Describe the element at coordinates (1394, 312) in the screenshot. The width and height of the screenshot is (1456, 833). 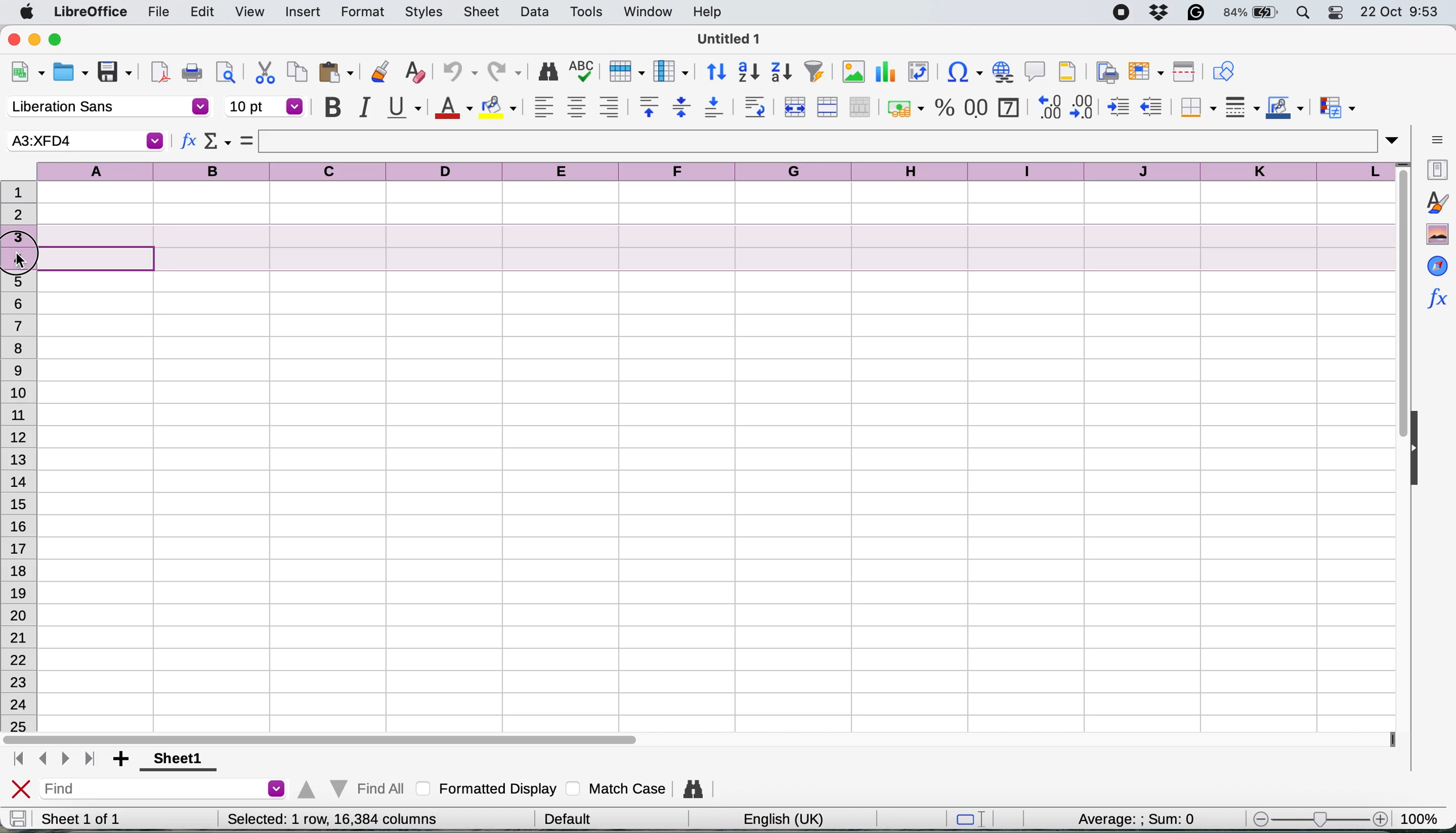
I see `vertical scroll bar` at that location.